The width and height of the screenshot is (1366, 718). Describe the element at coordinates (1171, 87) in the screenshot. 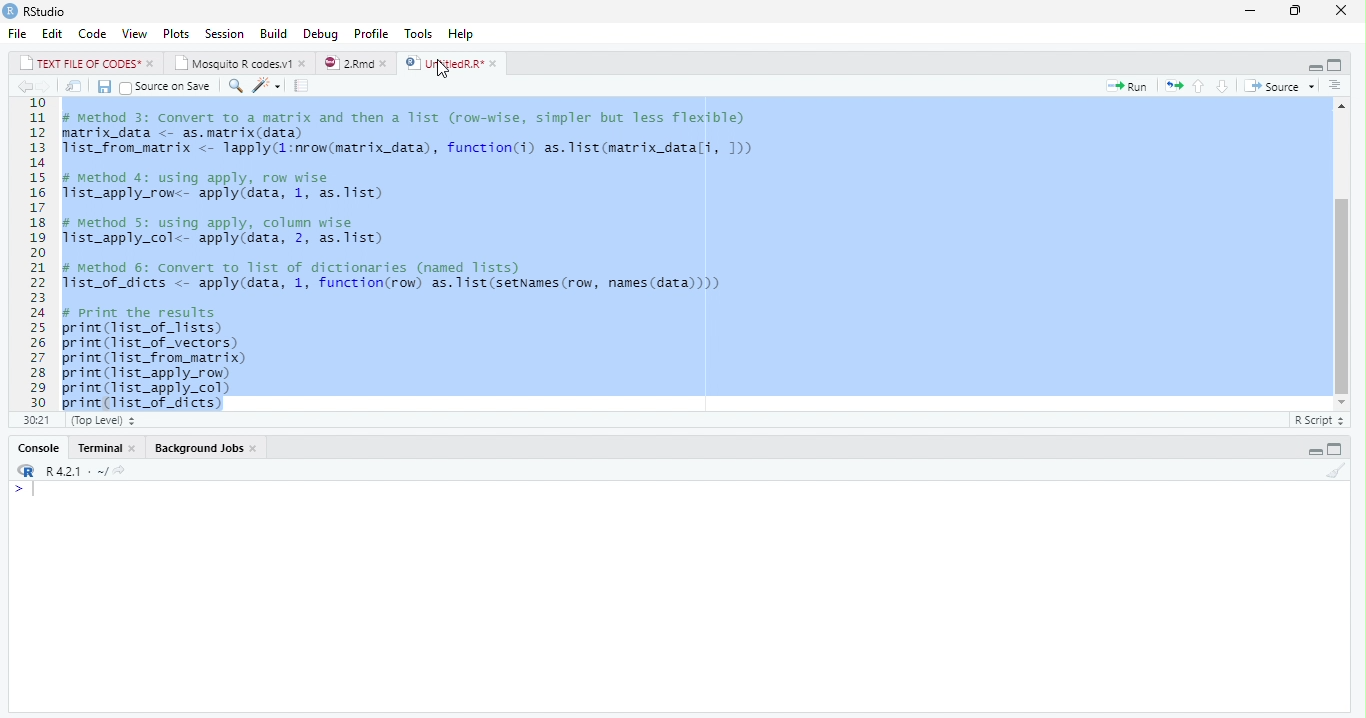

I see `re-run the previous code region` at that location.